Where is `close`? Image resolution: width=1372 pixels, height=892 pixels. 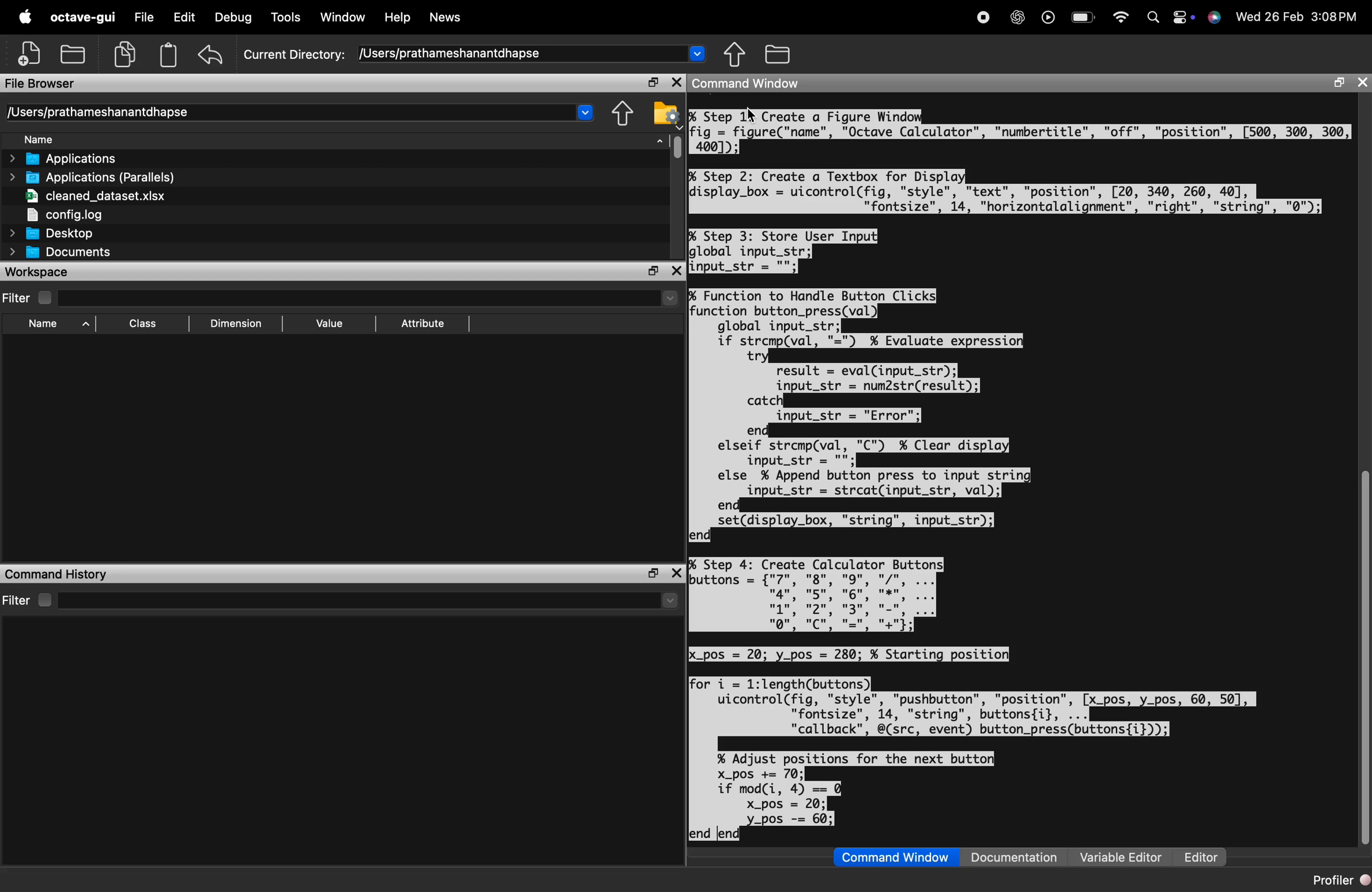 close is located at coordinates (675, 84).